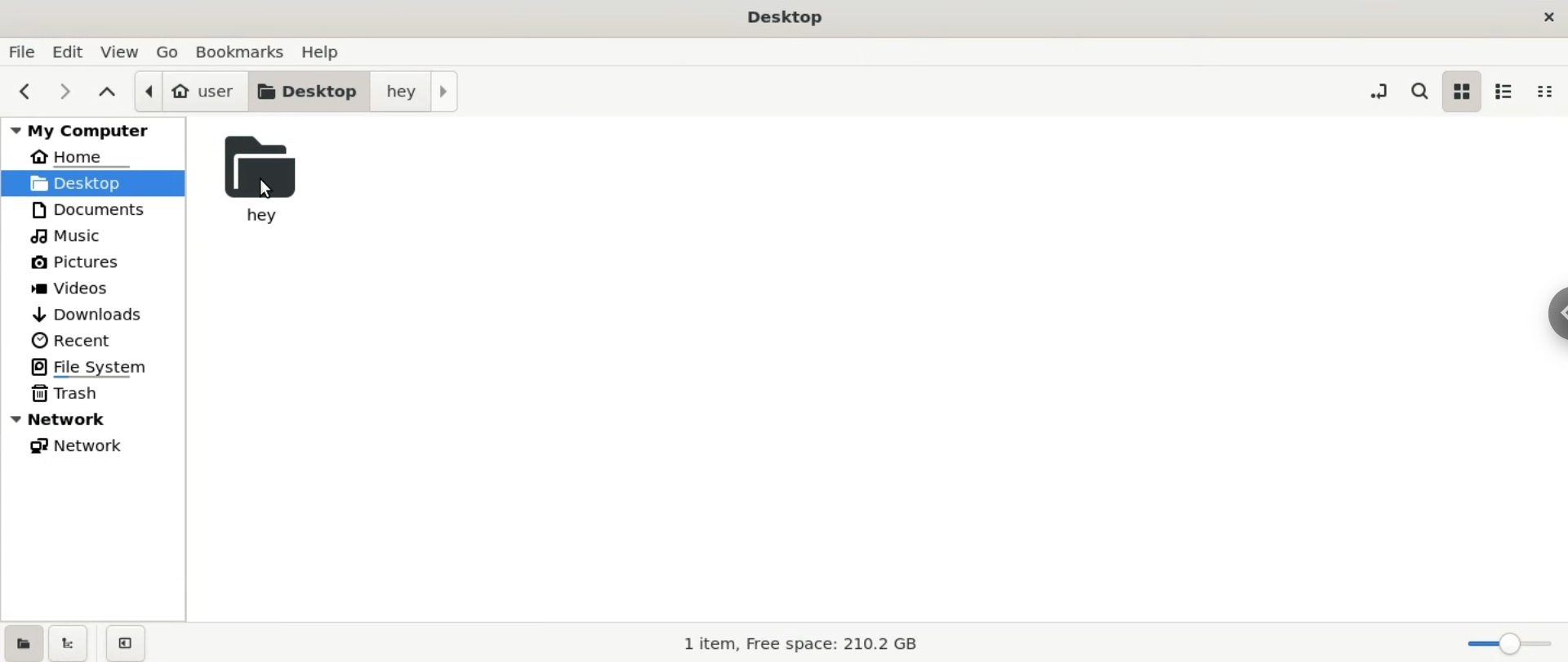 The width and height of the screenshot is (1568, 662). I want to click on parent folders, so click(108, 89).